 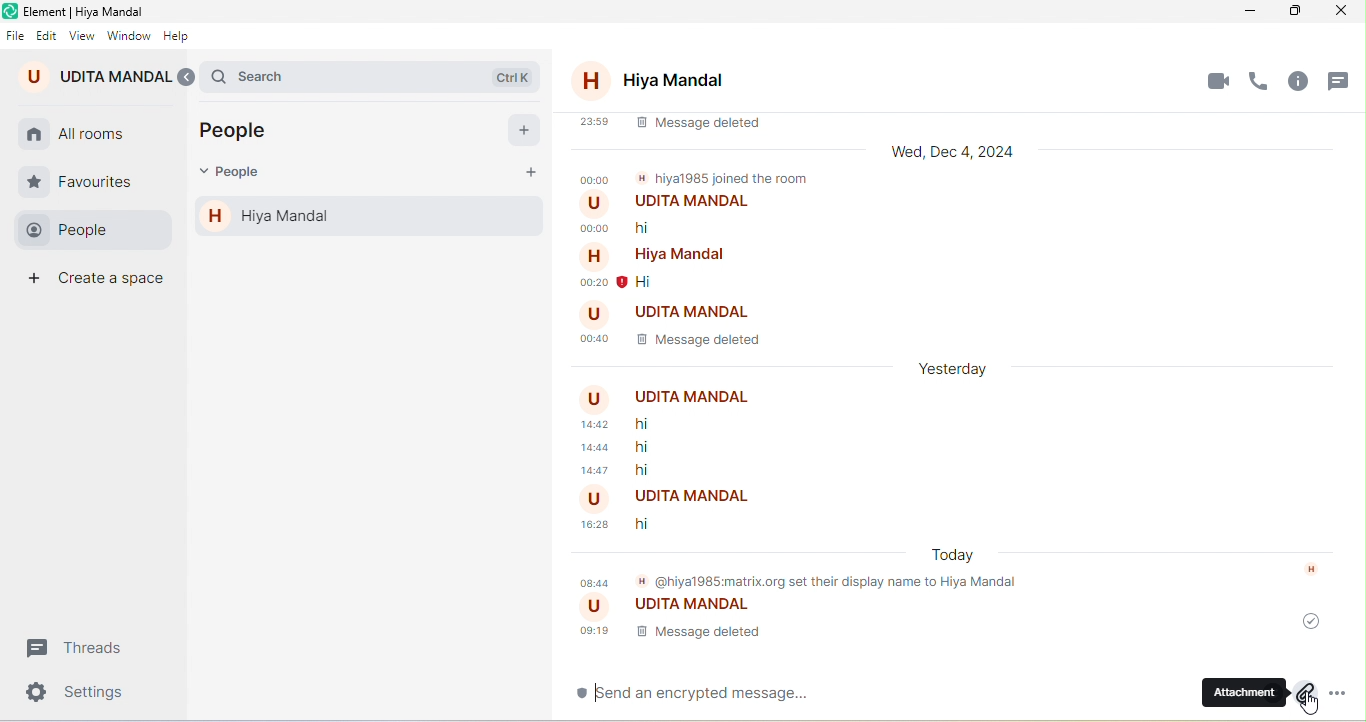 I want to click on UDITA MANDAL, so click(x=689, y=498).